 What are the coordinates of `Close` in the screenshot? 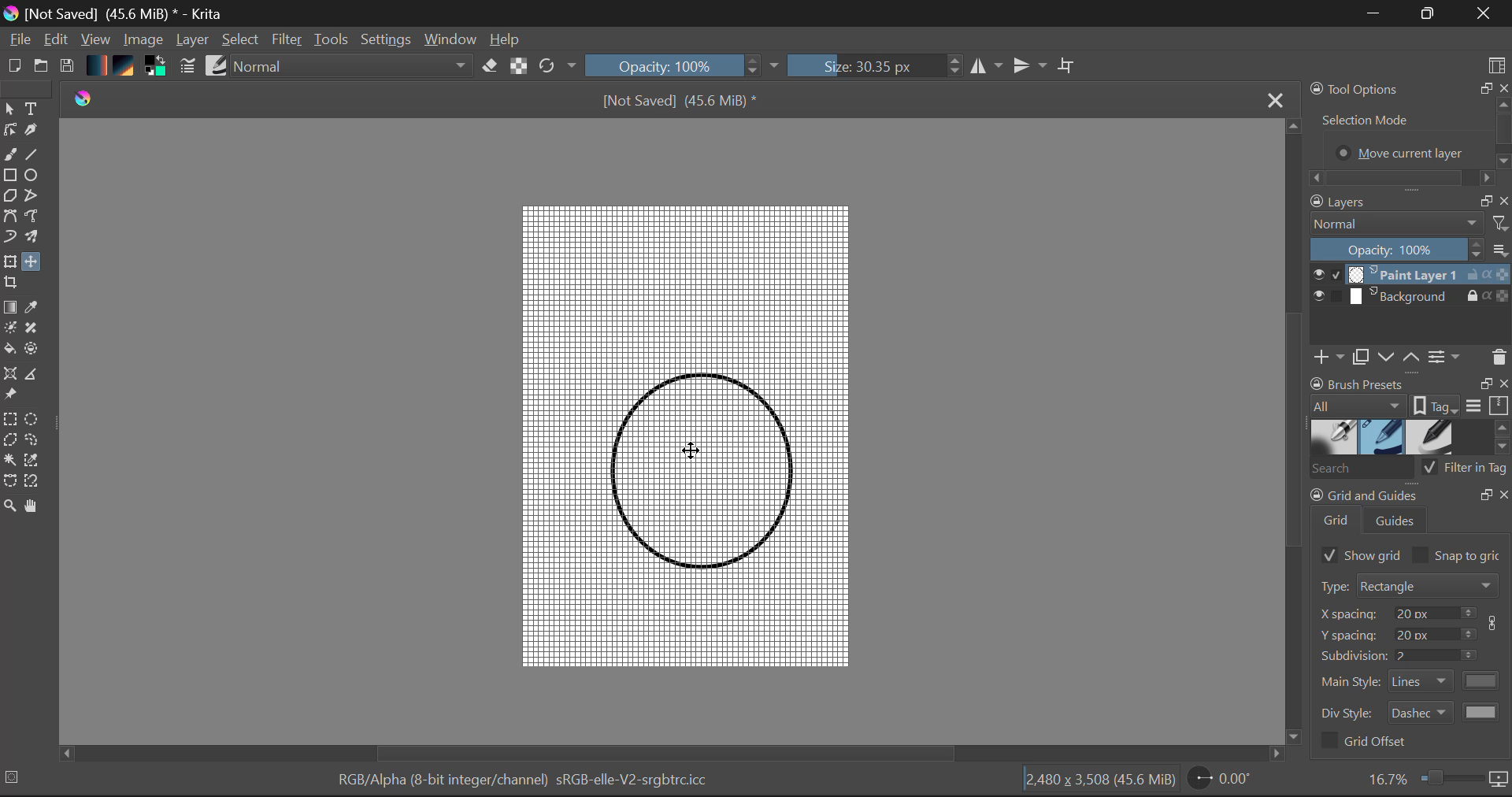 It's located at (1275, 99).